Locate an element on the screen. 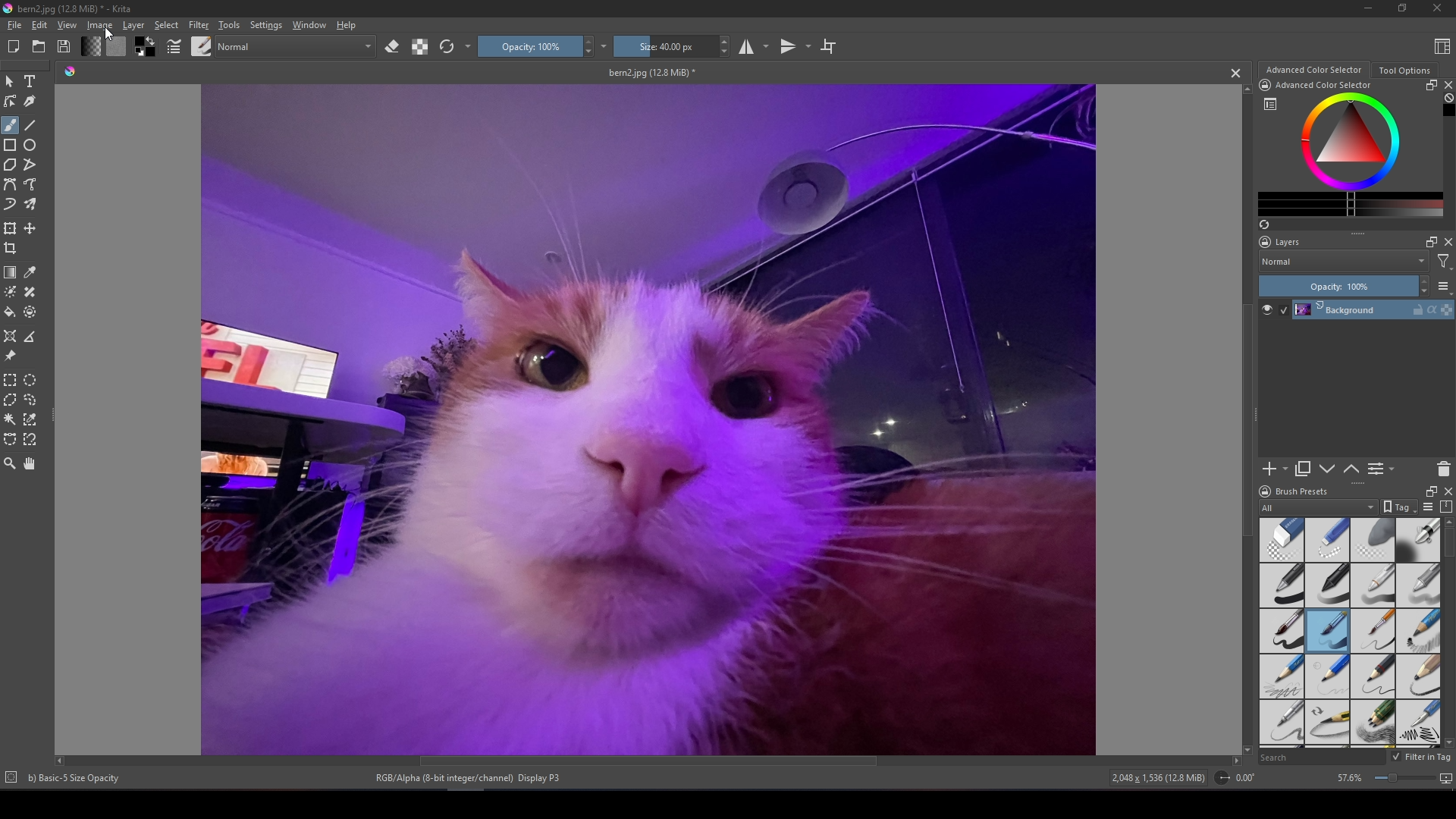  Settings is located at coordinates (267, 26).